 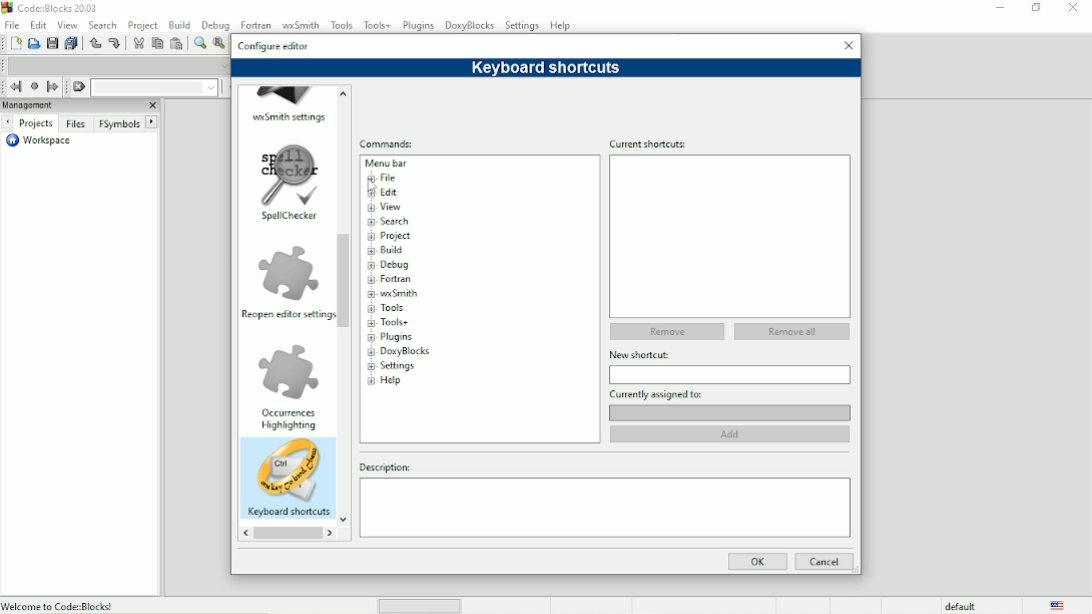 What do you see at coordinates (255, 23) in the screenshot?
I see `Fortran` at bounding box center [255, 23].